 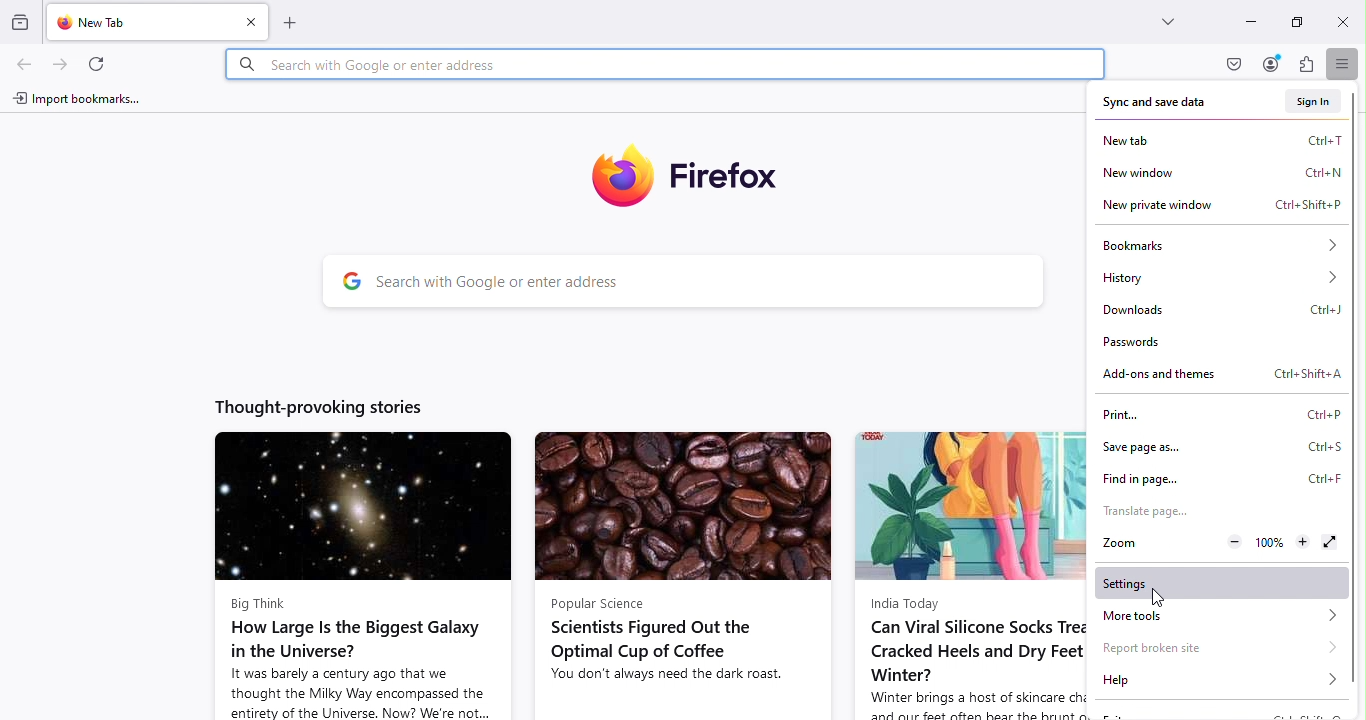 I want to click on Reload the current page, so click(x=93, y=63).